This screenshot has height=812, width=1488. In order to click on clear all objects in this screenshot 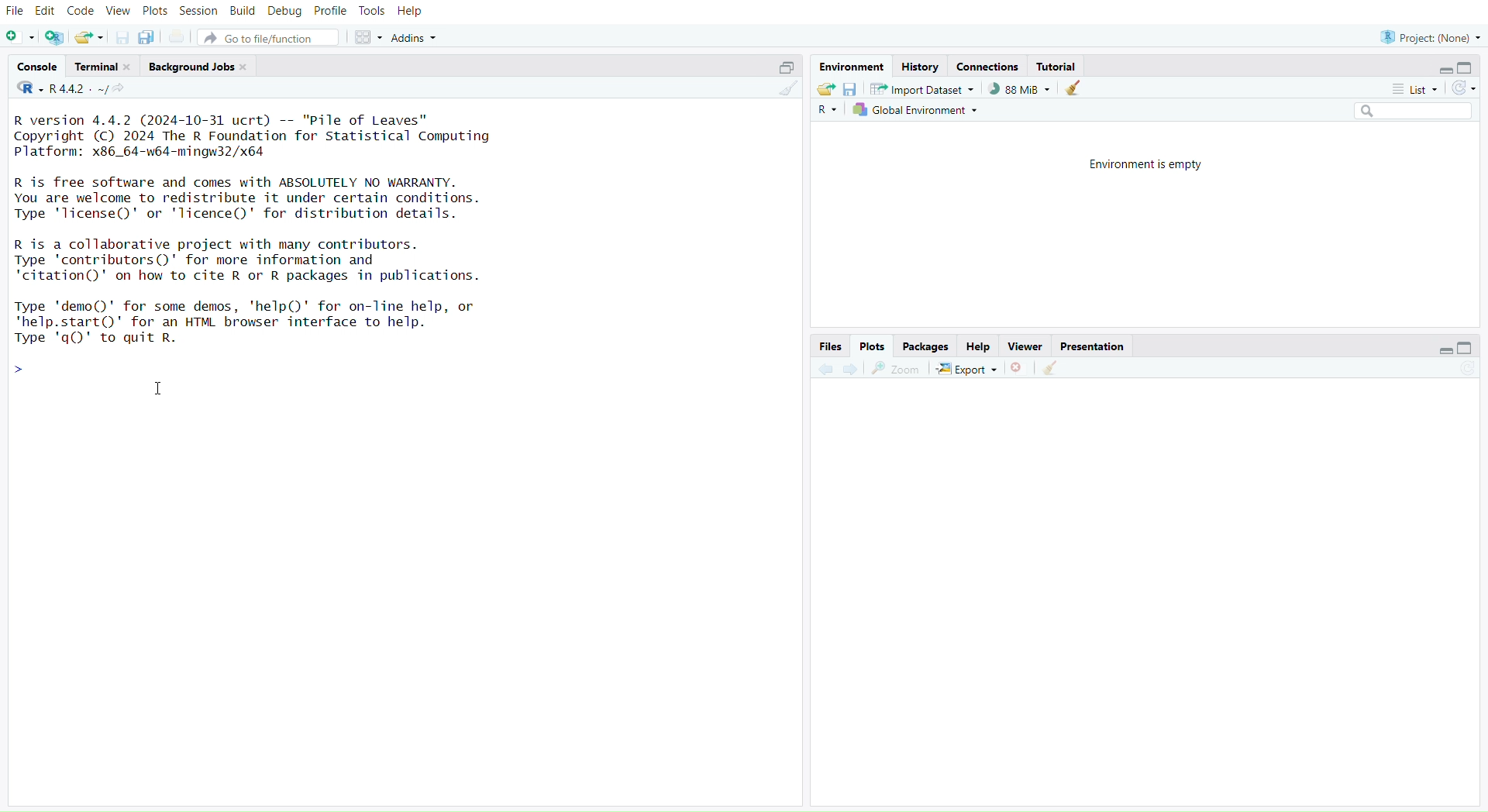, I will do `click(1073, 89)`.